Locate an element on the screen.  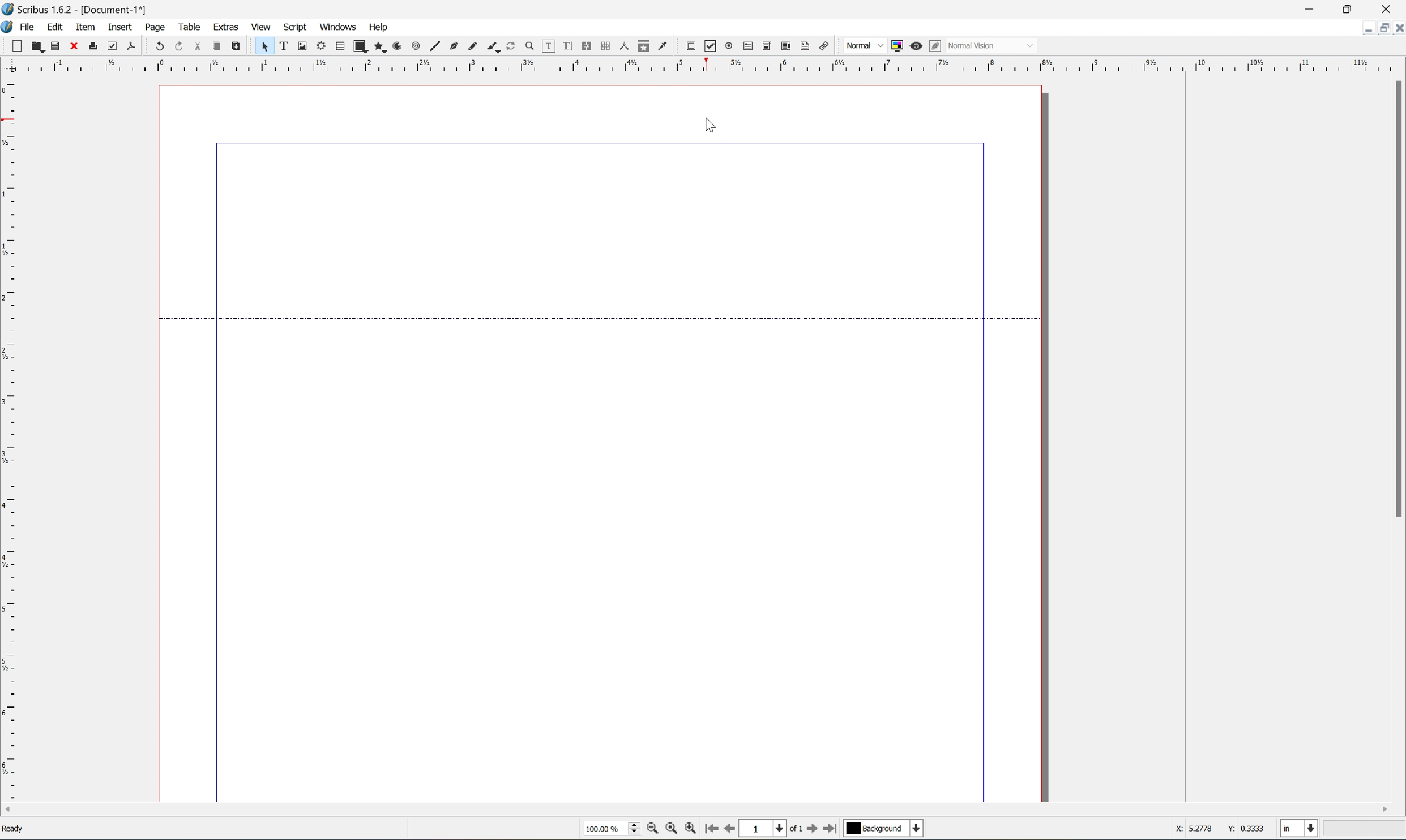
open is located at coordinates (37, 46).